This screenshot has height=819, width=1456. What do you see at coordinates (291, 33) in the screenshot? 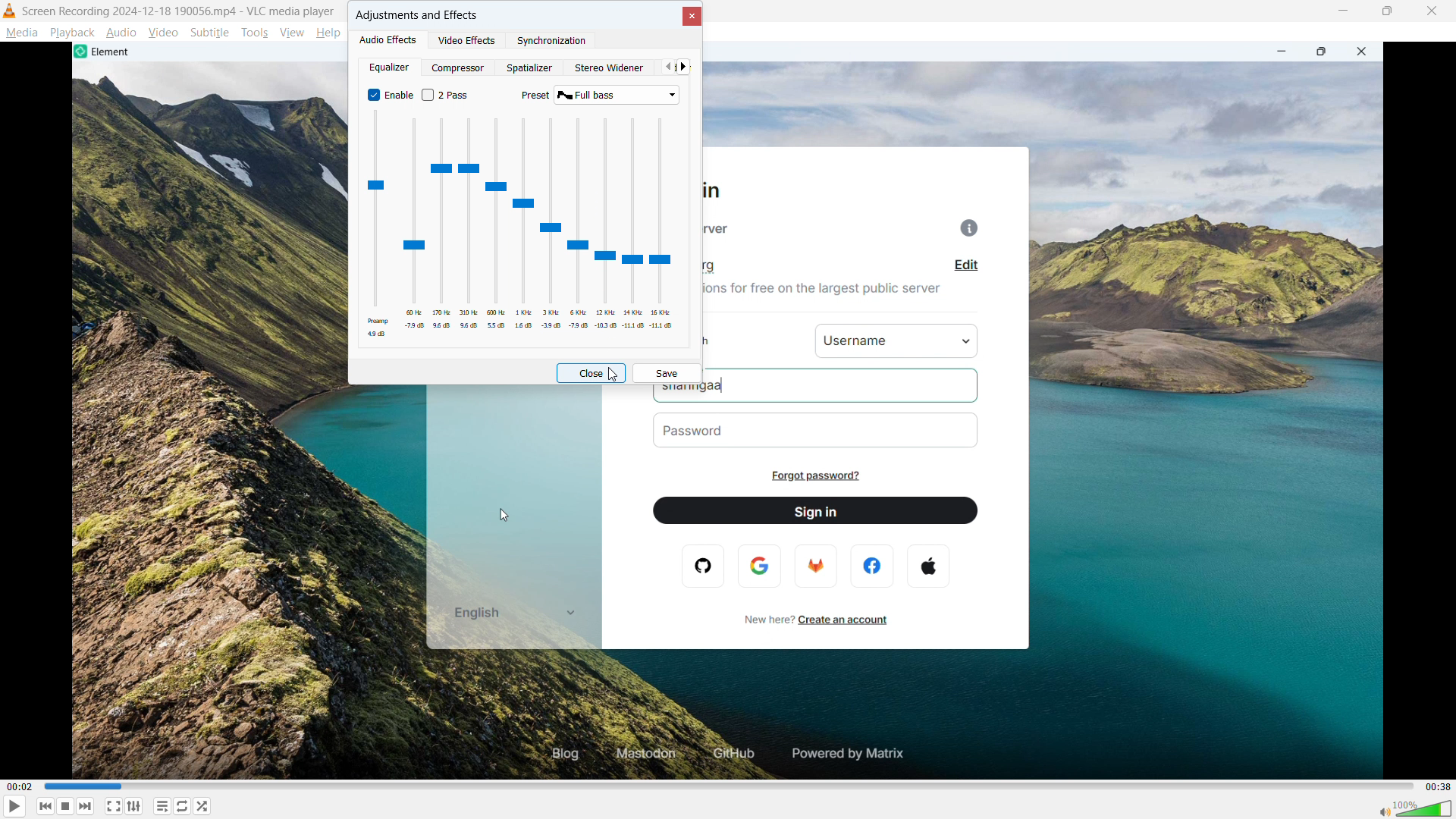
I see `View ` at bounding box center [291, 33].